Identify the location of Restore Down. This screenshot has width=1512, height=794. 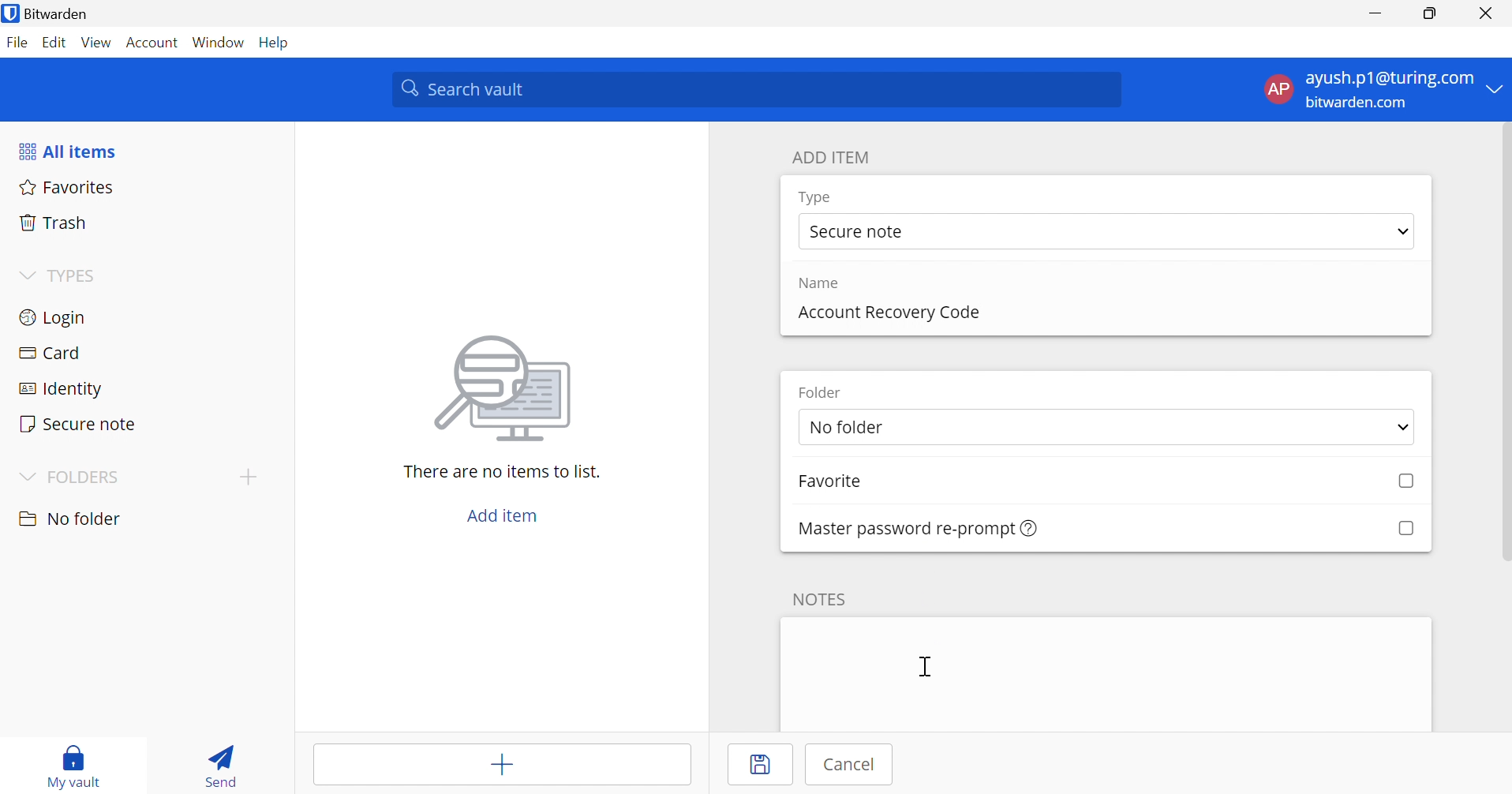
(1428, 15).